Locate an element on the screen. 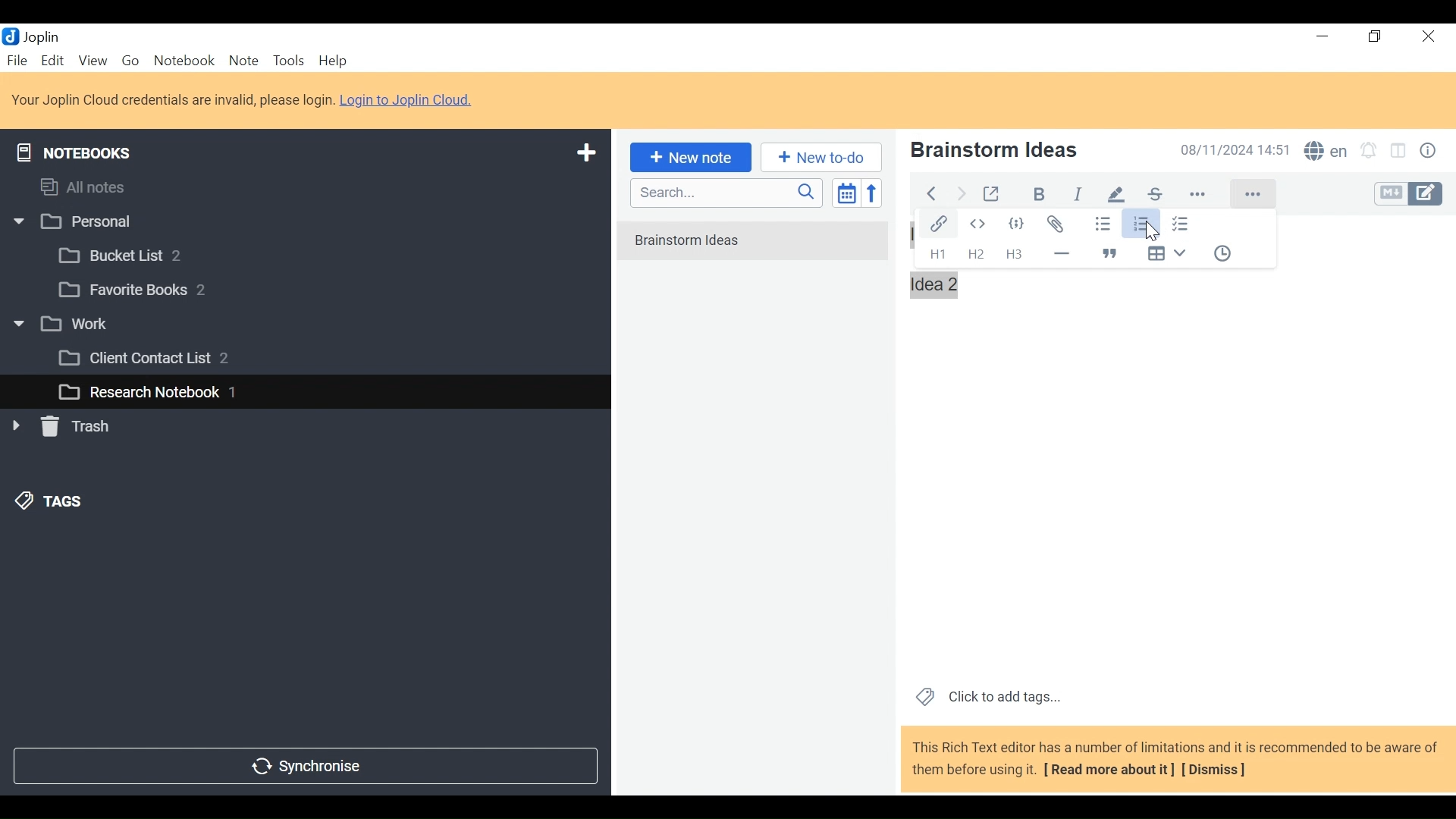  [3 Client Contact List 2 is located at coordinates (166, 362).